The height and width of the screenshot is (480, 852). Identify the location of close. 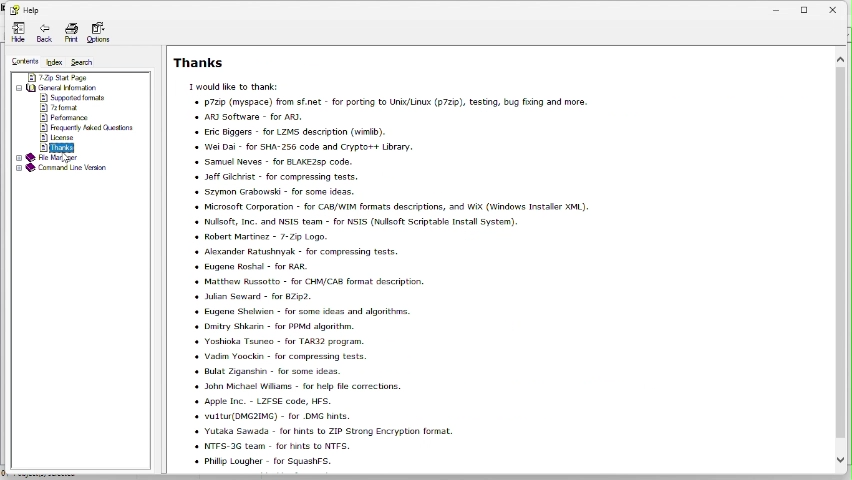
(838, 7).